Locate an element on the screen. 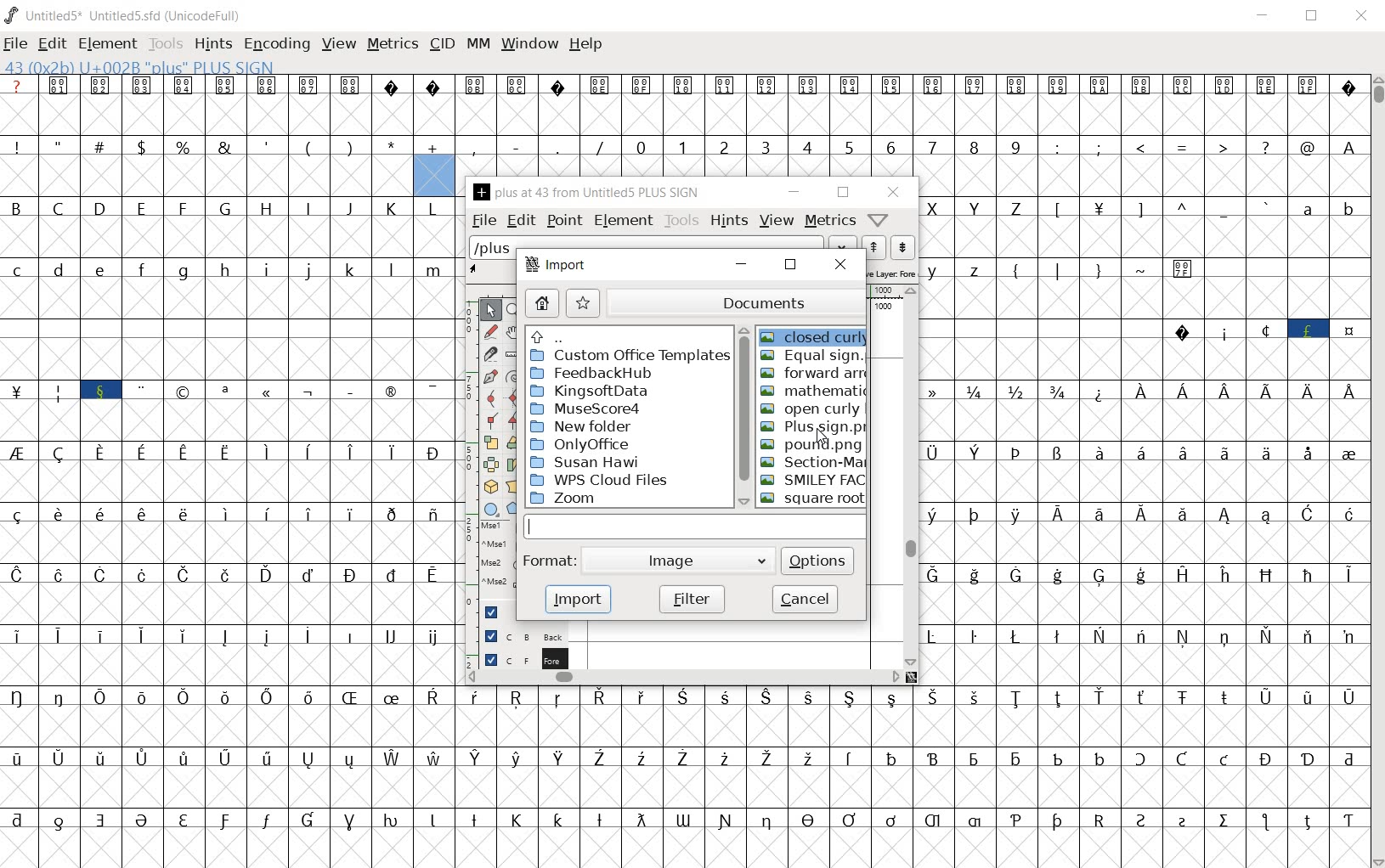   is located at coordinates (1016, 717).